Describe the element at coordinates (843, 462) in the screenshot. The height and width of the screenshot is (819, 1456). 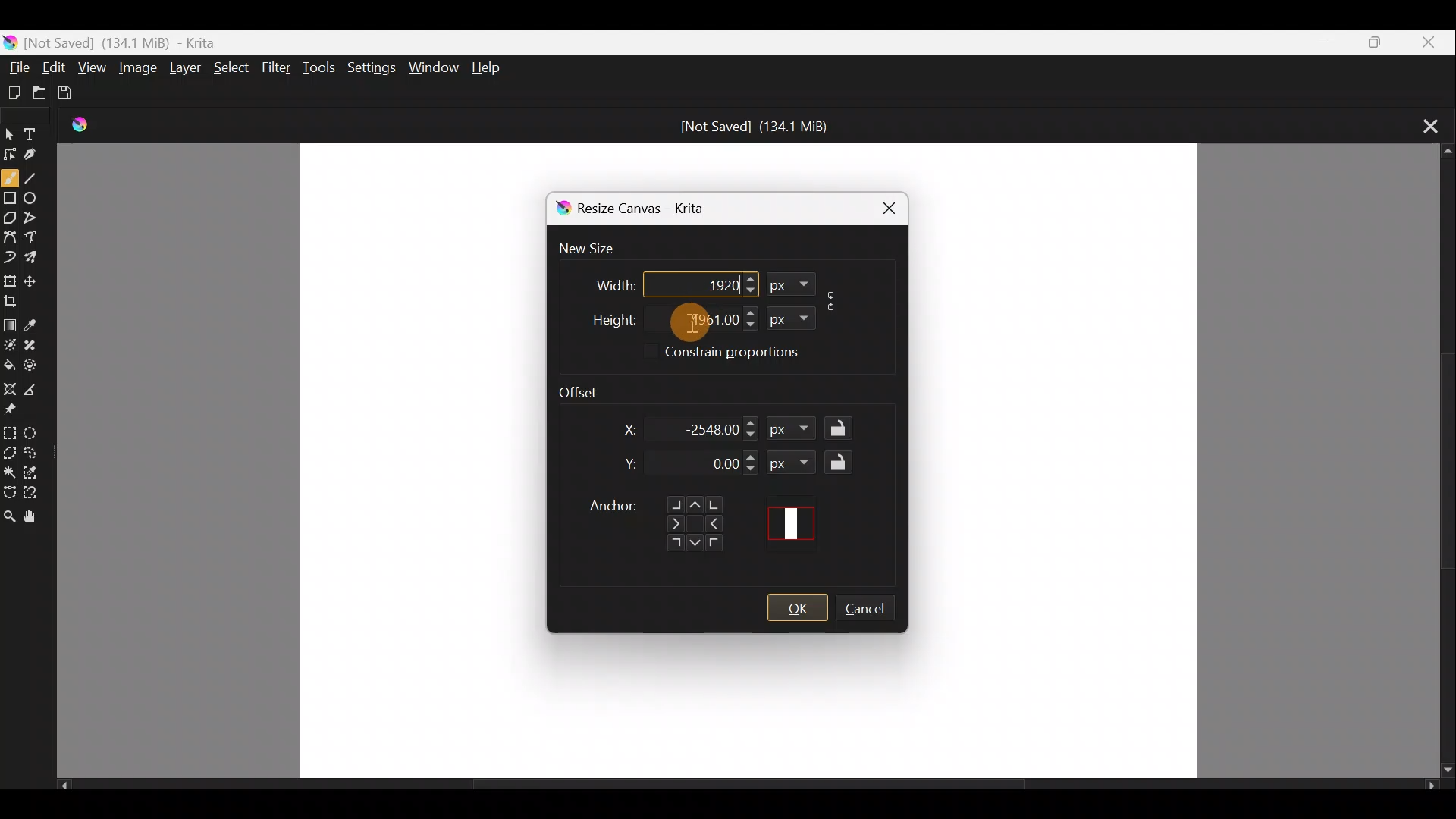
I see `Lock/Unlock` at that location.